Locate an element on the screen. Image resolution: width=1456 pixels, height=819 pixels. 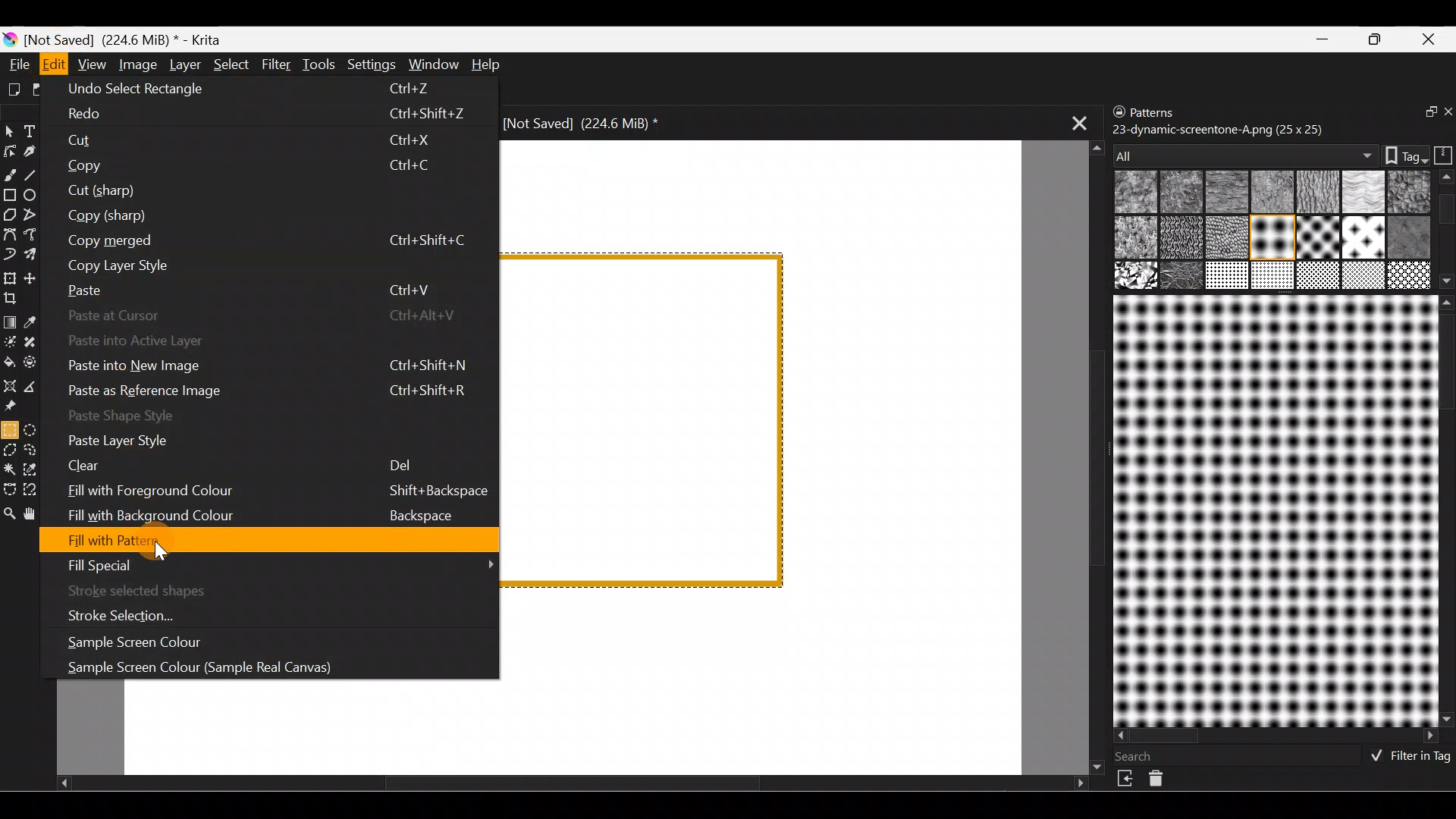
Scroll bar is located at coordinates (1446, 510).